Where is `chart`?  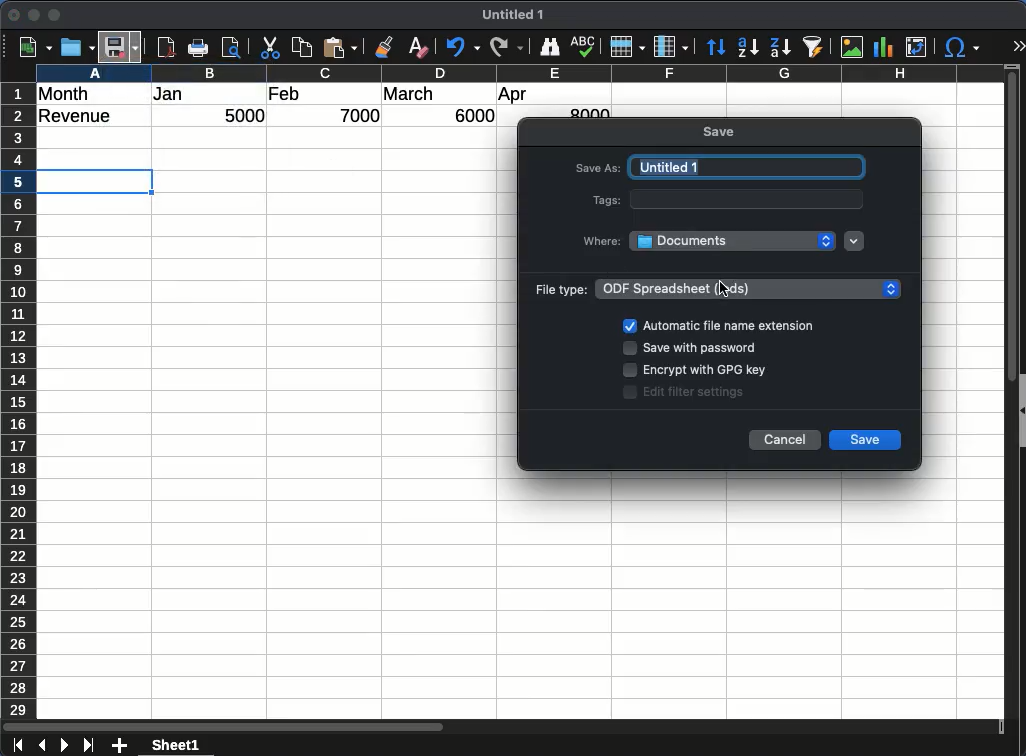
chart is located at coordinates (881, 46).